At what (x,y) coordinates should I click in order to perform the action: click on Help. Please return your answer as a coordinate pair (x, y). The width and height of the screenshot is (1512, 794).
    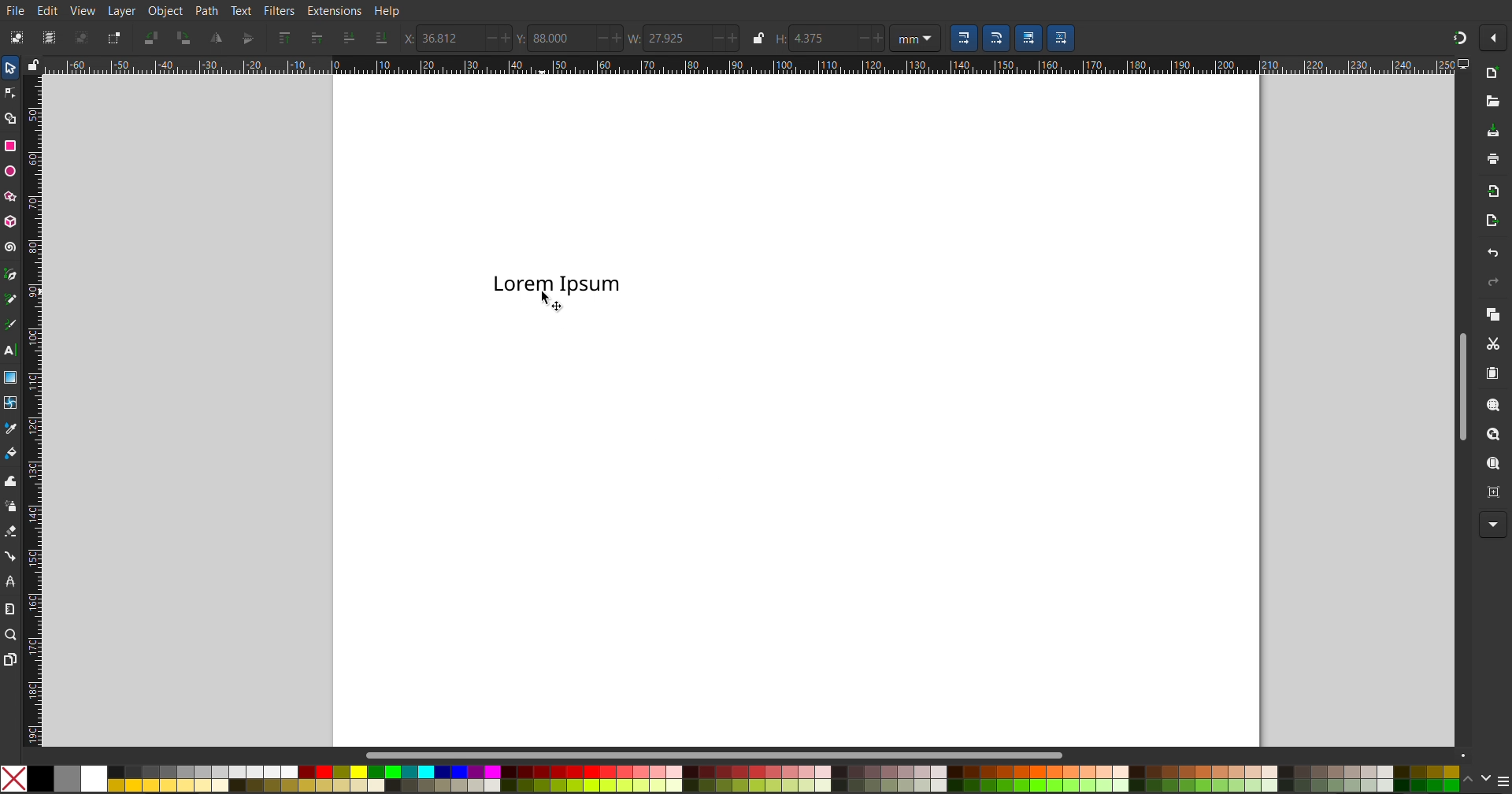
    Looking at the image, I should click on (386, 12).